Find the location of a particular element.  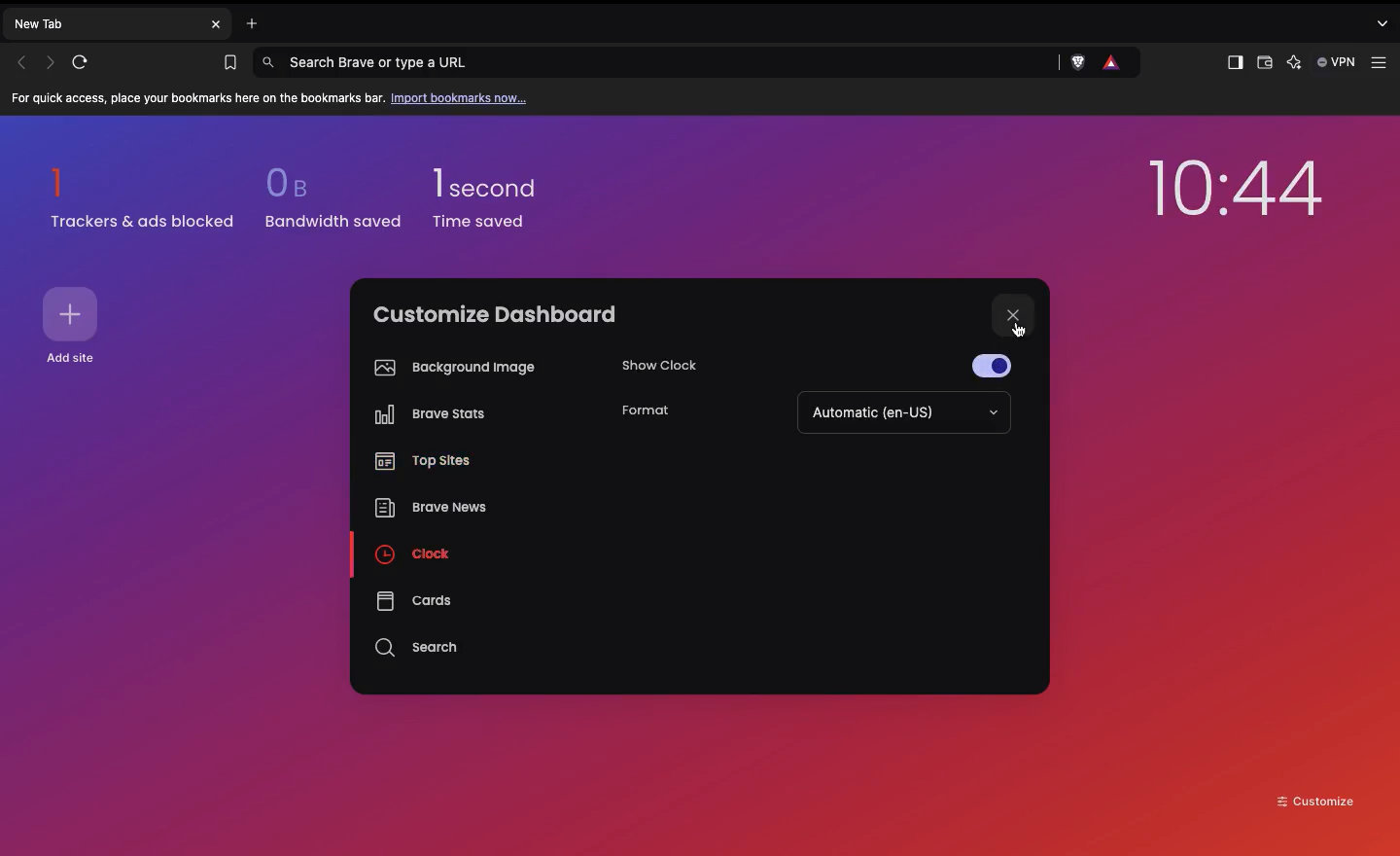

Customize and control Brave is located at coordinates (1382, 63).